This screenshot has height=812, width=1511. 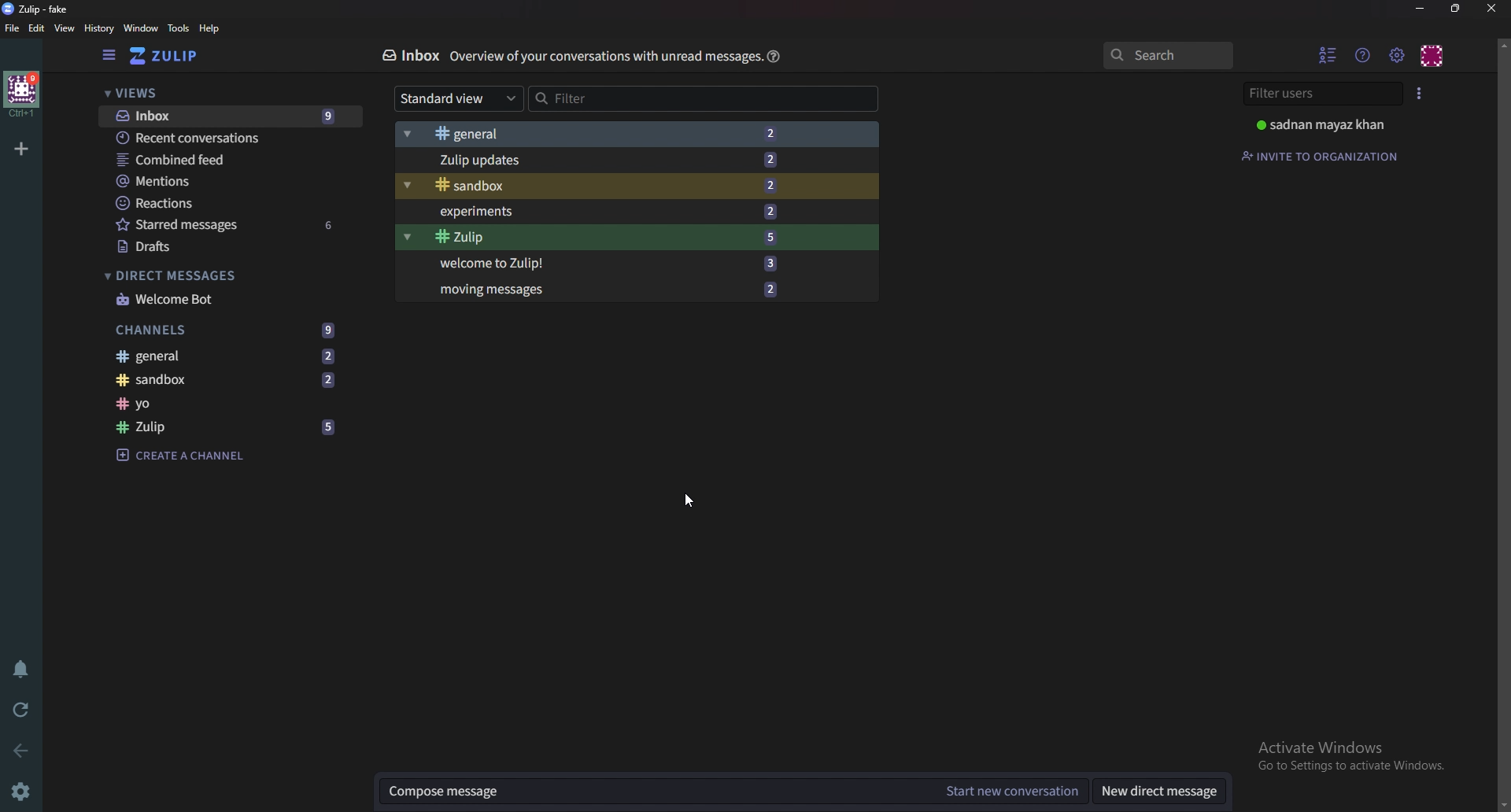 What do you see at coordinates (22, 710) in the screenshot?
I see `Reload` at bounding box center [22, 710].